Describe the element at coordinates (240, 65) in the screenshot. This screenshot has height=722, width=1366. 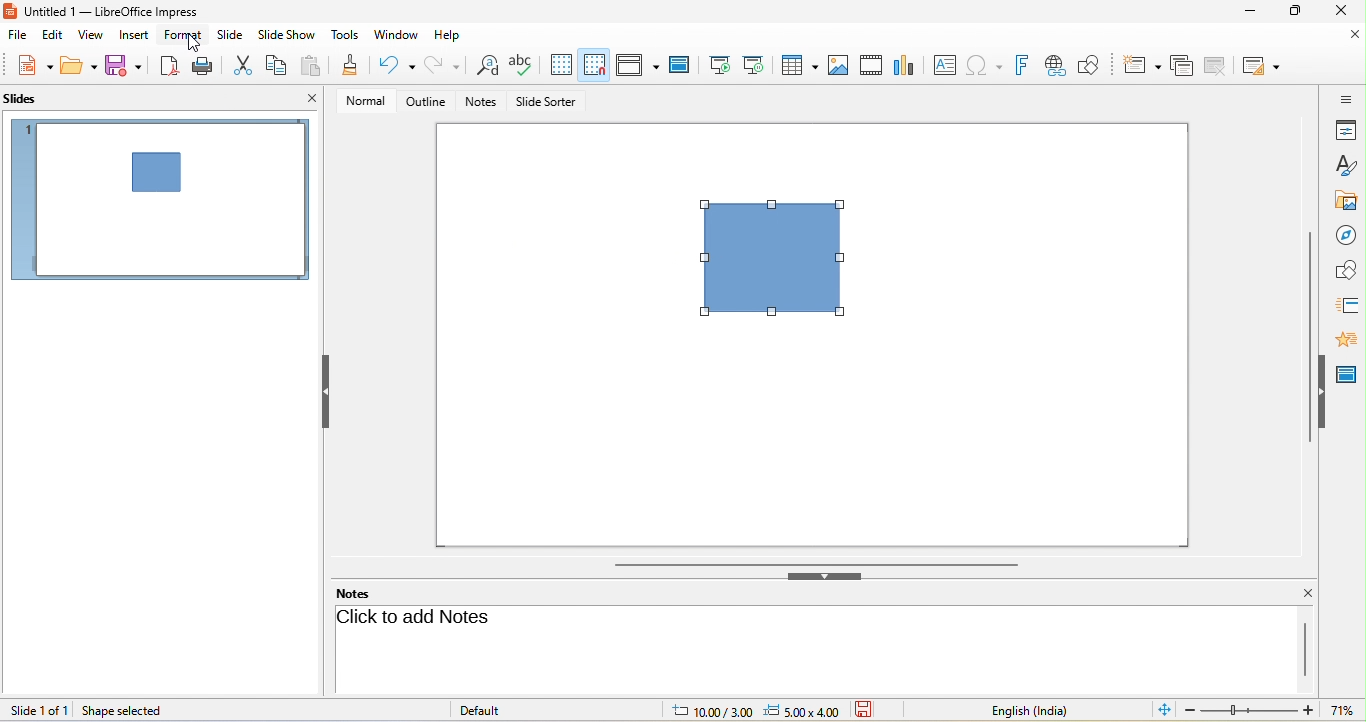
I see `cut` at that location.